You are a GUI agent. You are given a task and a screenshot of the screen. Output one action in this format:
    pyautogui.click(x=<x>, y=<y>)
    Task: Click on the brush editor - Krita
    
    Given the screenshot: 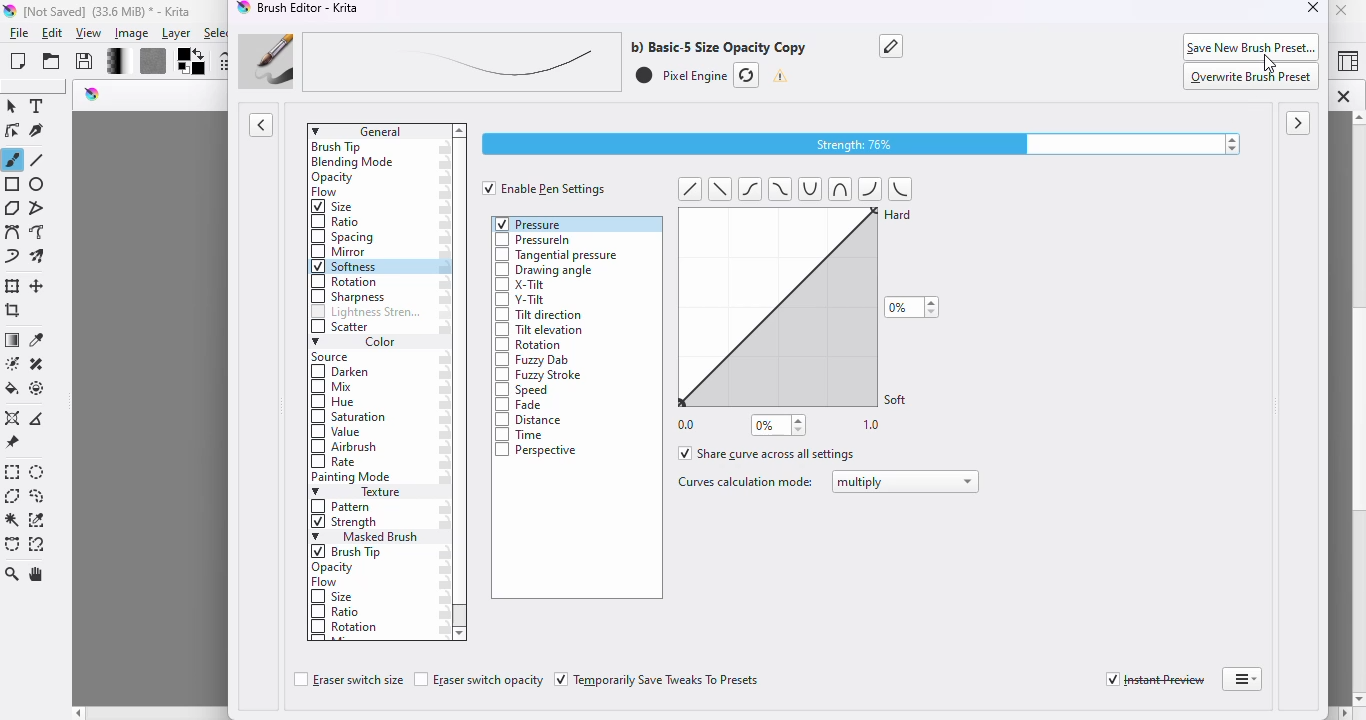 What is the action you would take?
    pyautogui.click(x=311, y=8)
    